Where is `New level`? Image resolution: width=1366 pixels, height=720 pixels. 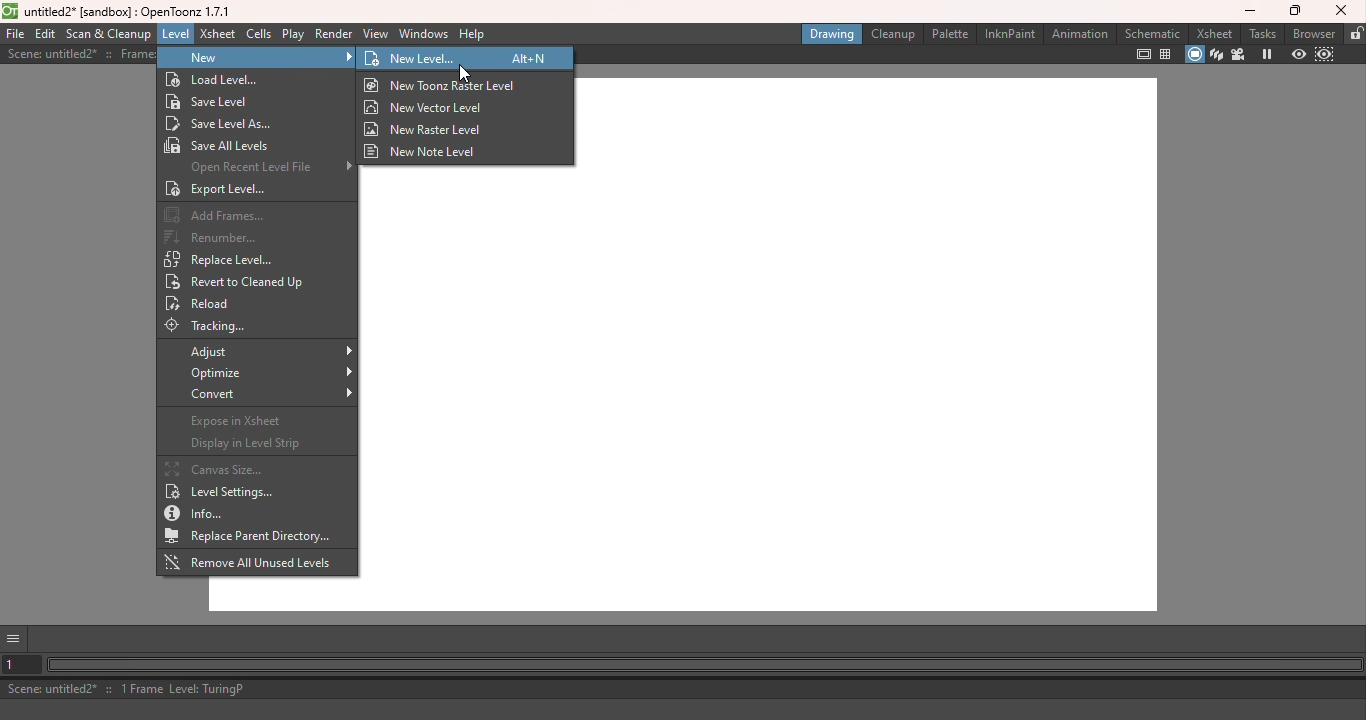 New level is located at coordinates (431, 59).